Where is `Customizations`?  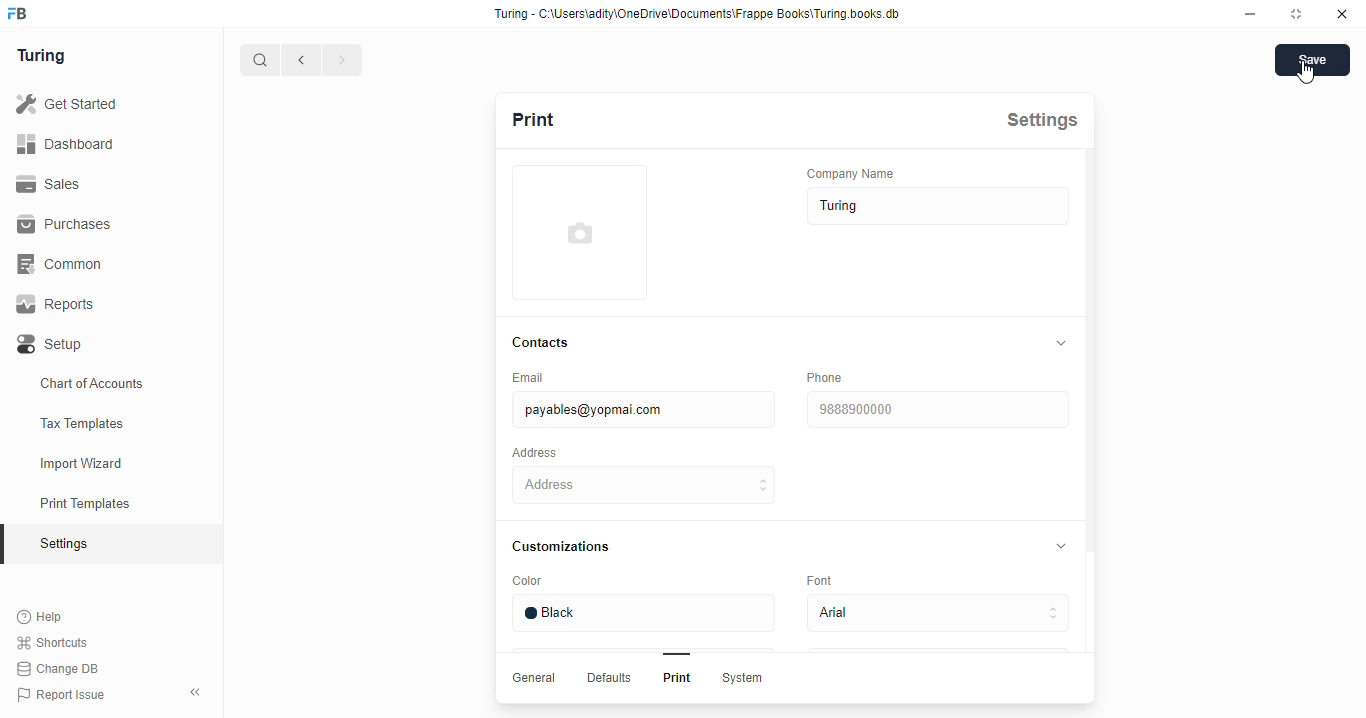
Customizations is located at coordinates (574, 547).